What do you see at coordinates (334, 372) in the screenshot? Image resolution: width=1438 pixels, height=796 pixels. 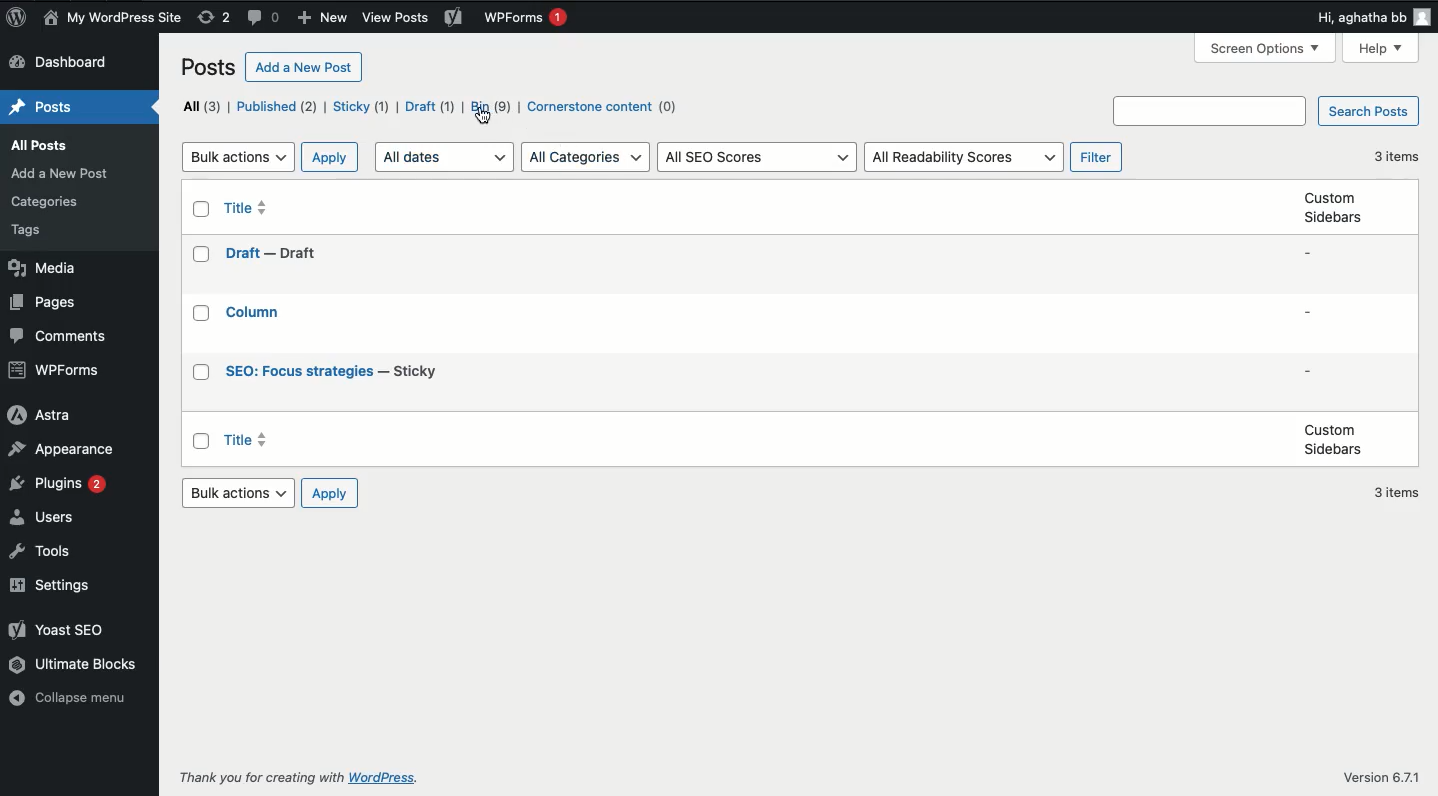 I see `Title` at bounding box center [334, 372].